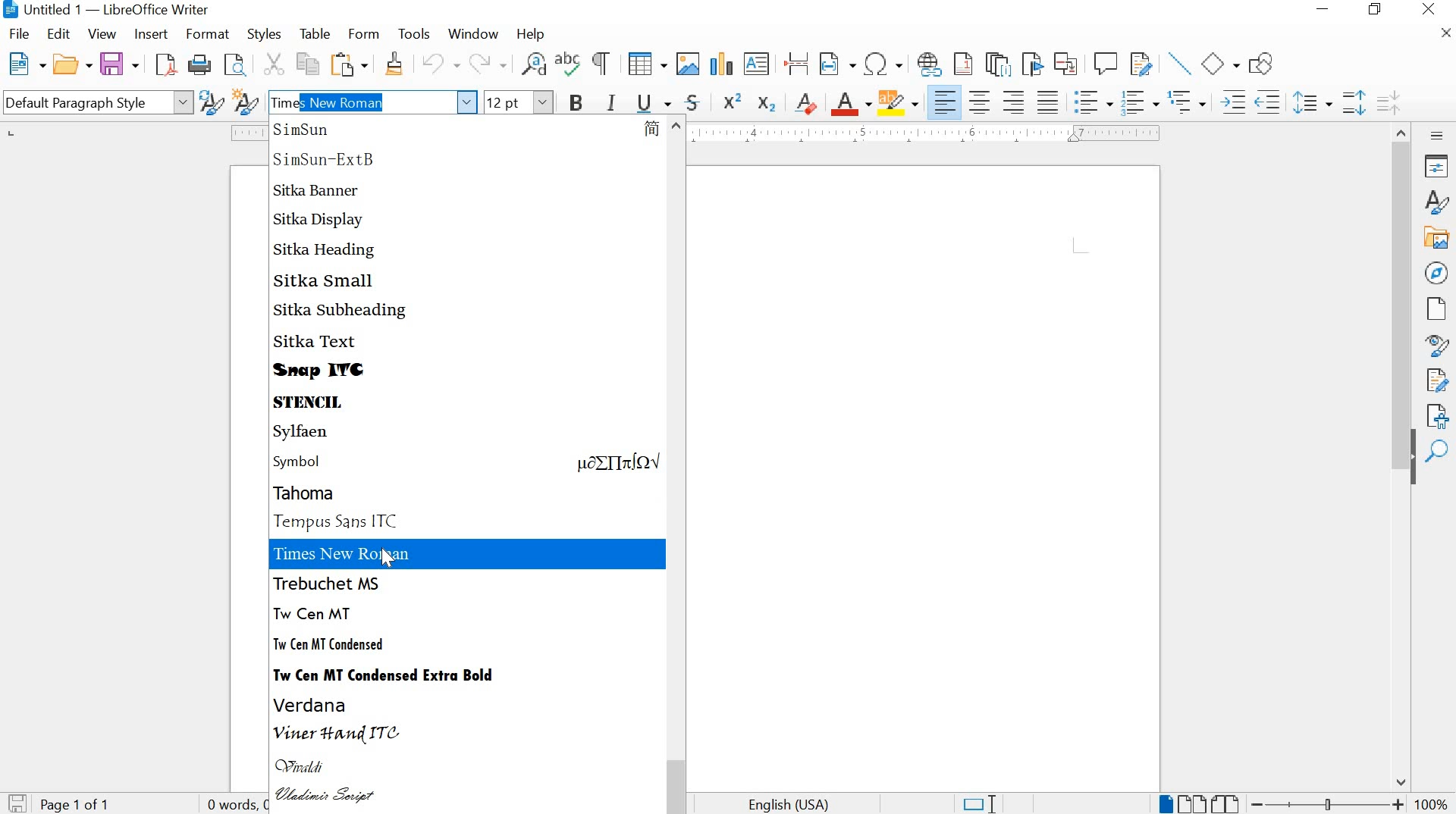  I want to click on CLOSE, so click(1430, 9).